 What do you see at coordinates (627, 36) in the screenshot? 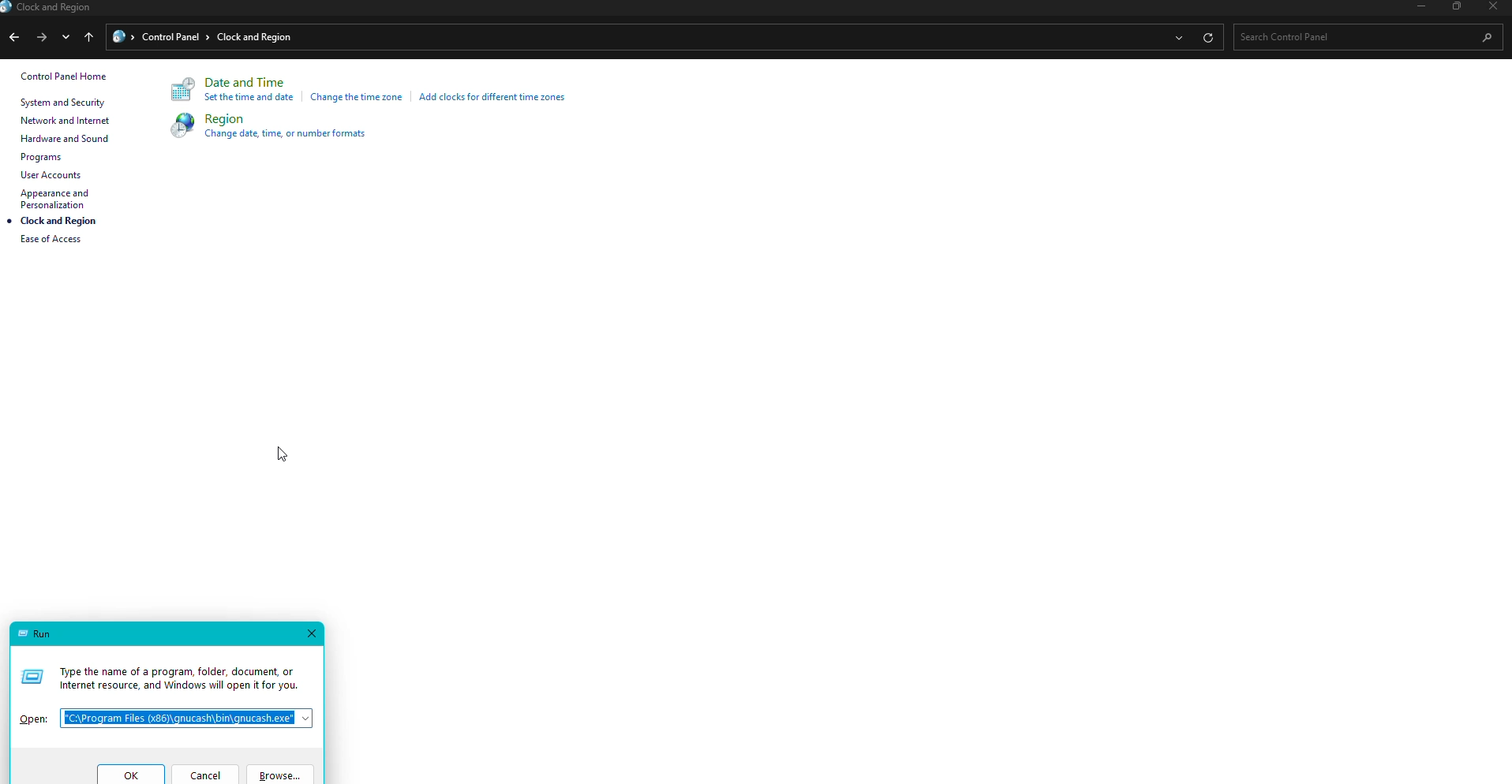
I see `File path` at bounding box center [627, 36].